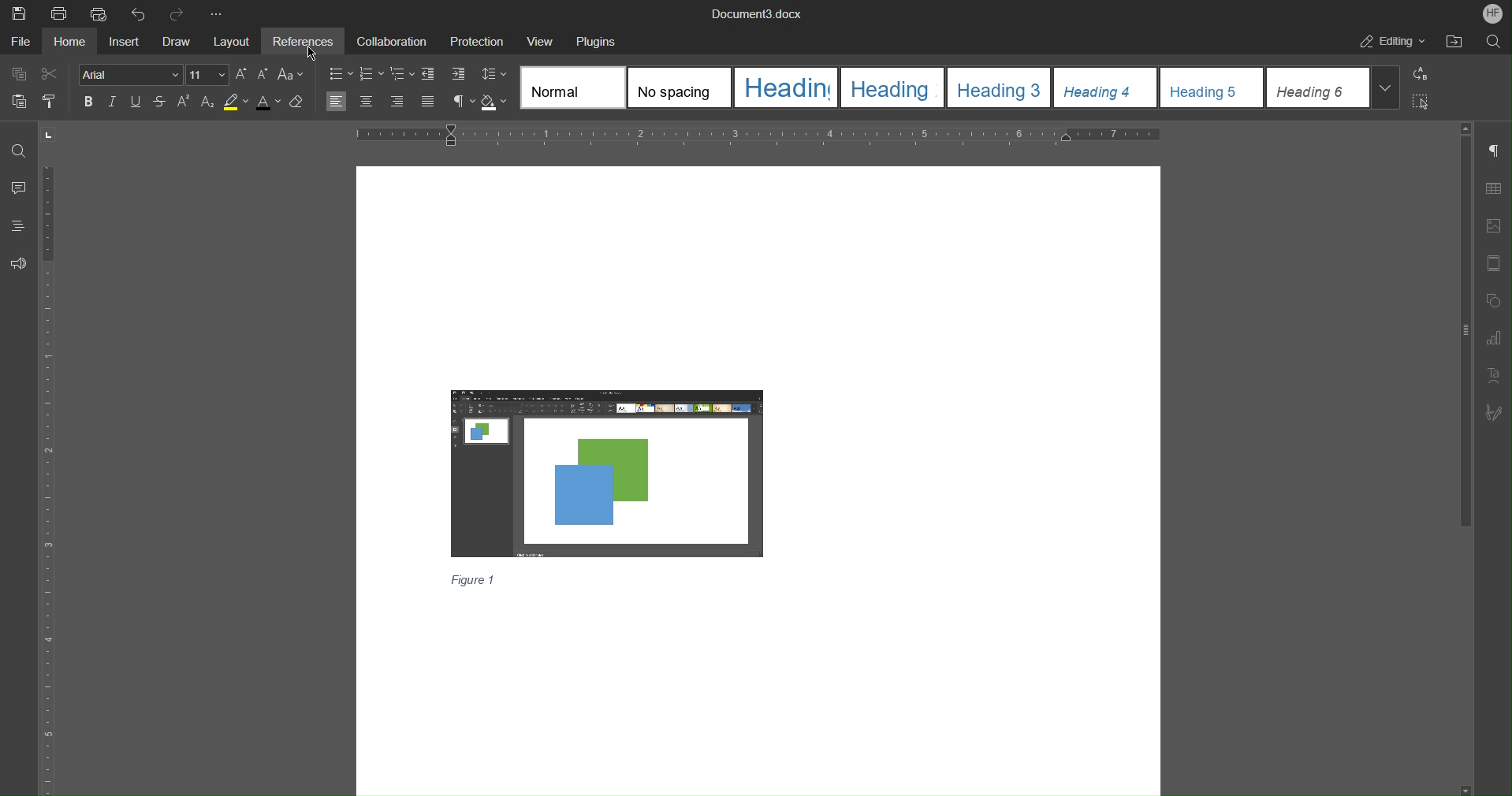 The width and height of the screenshot is (1512, 796). Describe the element at coordinates (123, 42) in the screenshot. I see `Insert` at that location.